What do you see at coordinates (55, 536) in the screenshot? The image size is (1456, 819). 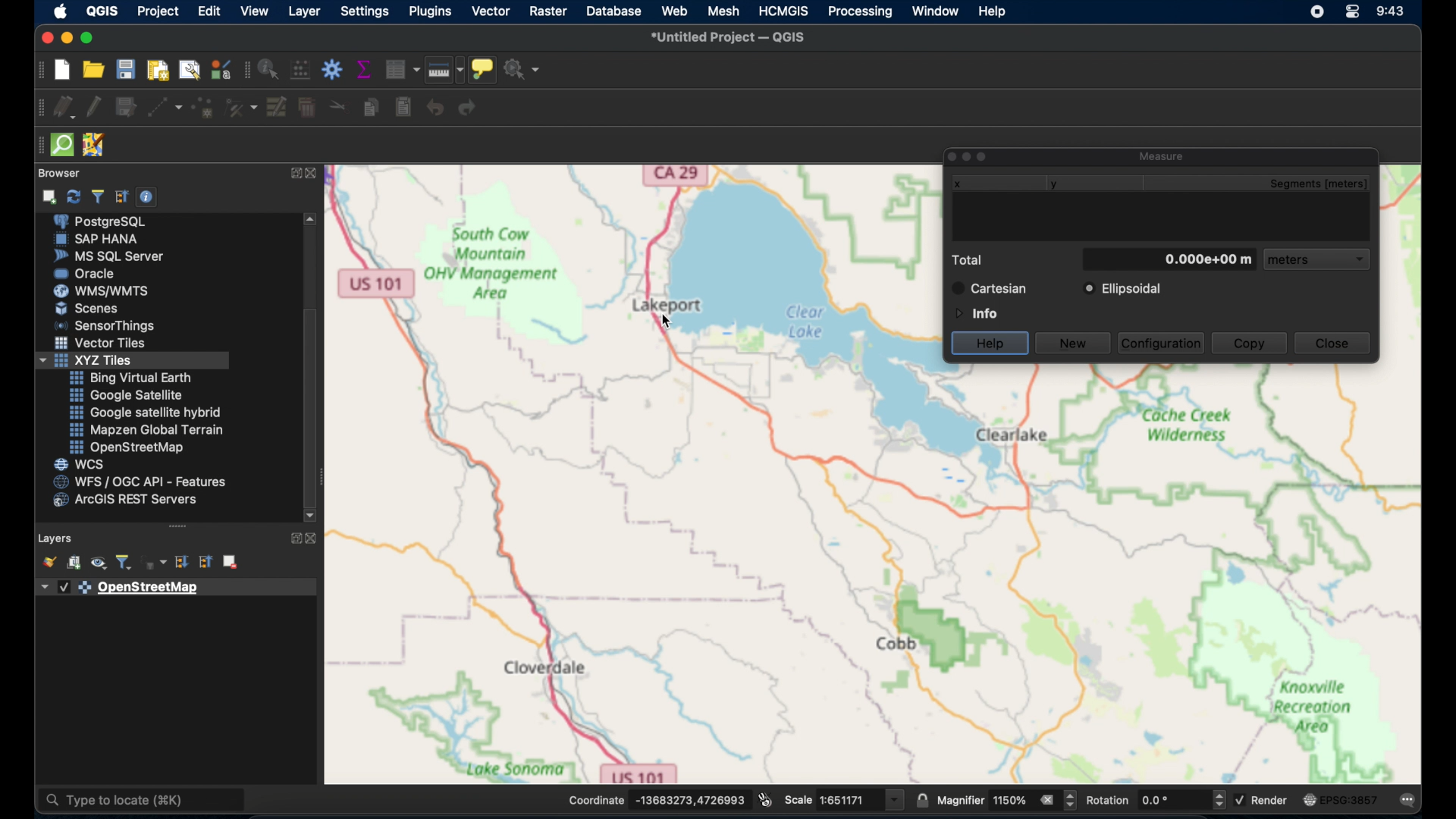 I see `layers` at bounding box center [55, 536].